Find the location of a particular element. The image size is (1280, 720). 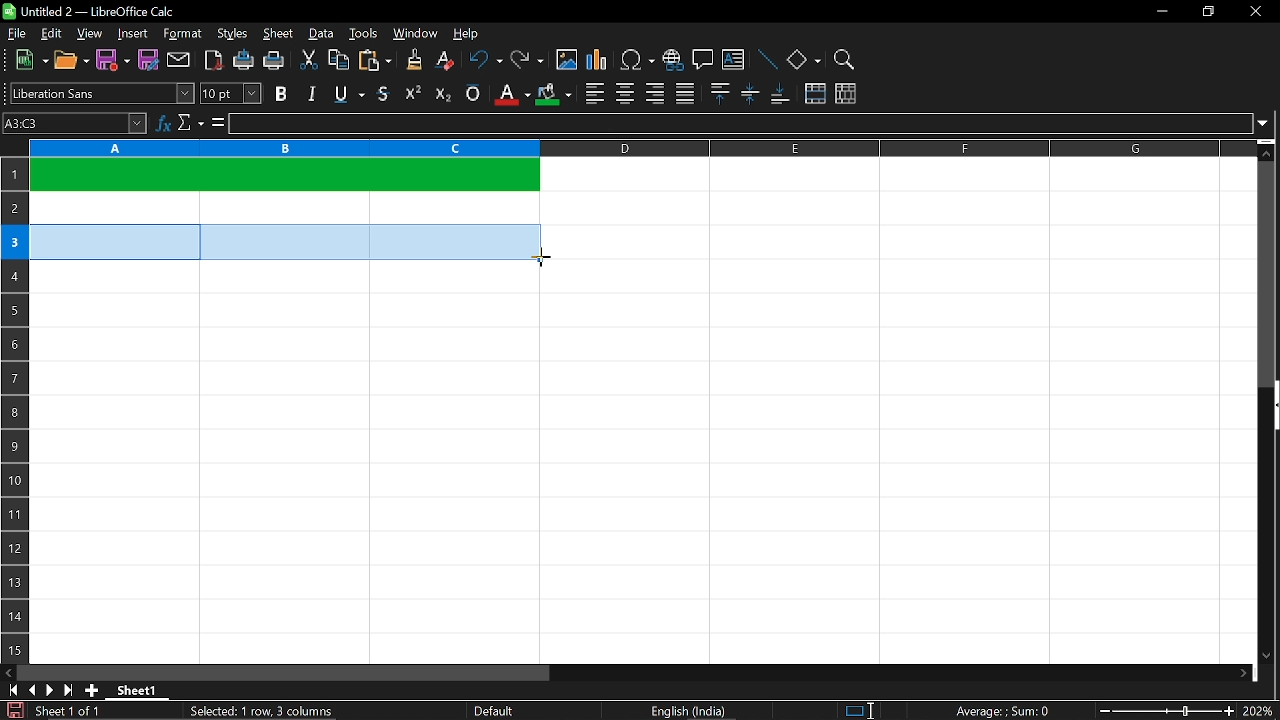

eraser is located at coordinates (442, 61).